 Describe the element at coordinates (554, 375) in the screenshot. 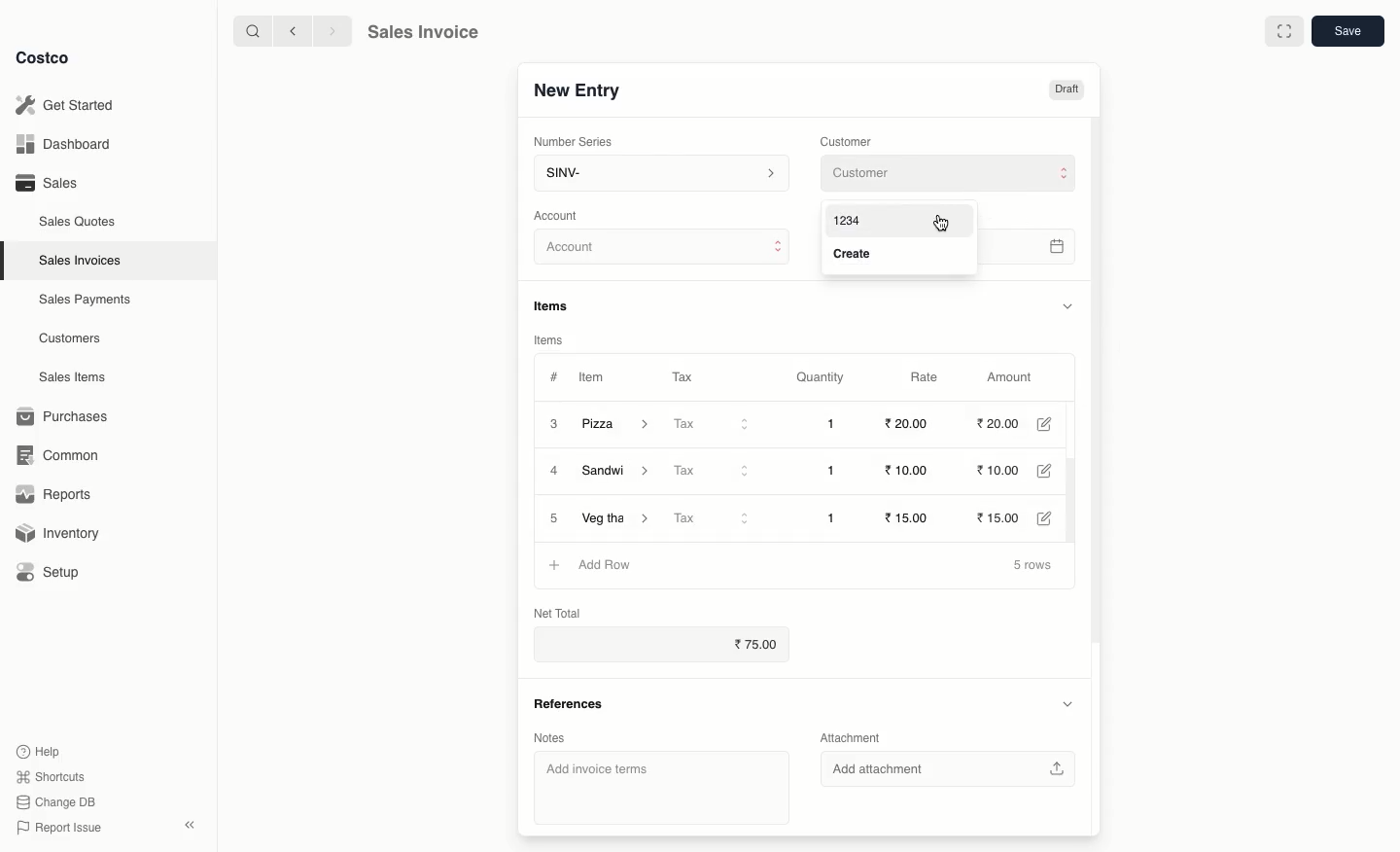

I see `#` at that location.